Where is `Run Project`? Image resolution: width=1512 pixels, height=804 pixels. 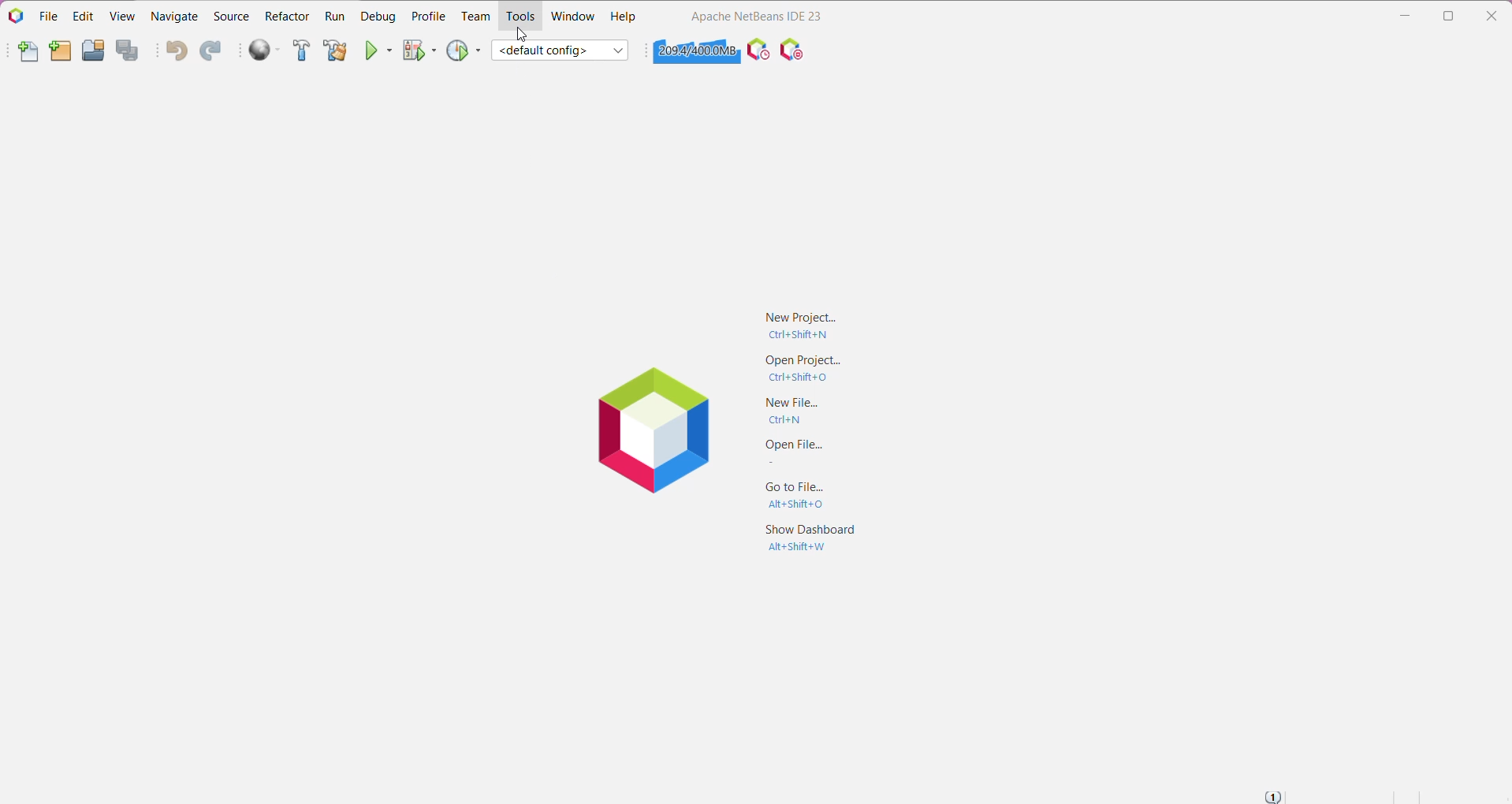 Run Project is located at coordinates (380, 50).